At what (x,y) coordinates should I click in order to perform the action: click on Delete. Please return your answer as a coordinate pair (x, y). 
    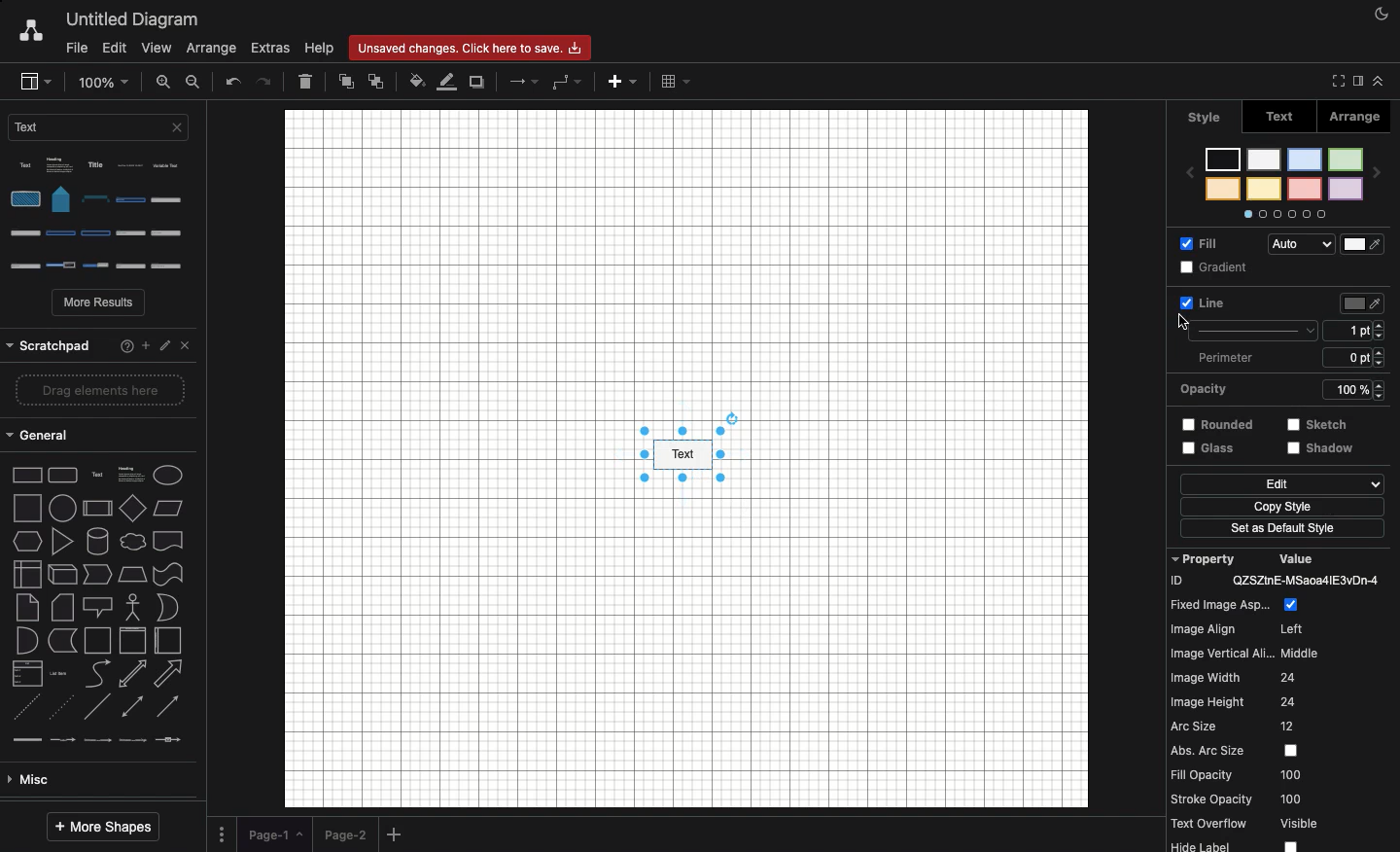
    Looking at the image, I should click on (305, 81).